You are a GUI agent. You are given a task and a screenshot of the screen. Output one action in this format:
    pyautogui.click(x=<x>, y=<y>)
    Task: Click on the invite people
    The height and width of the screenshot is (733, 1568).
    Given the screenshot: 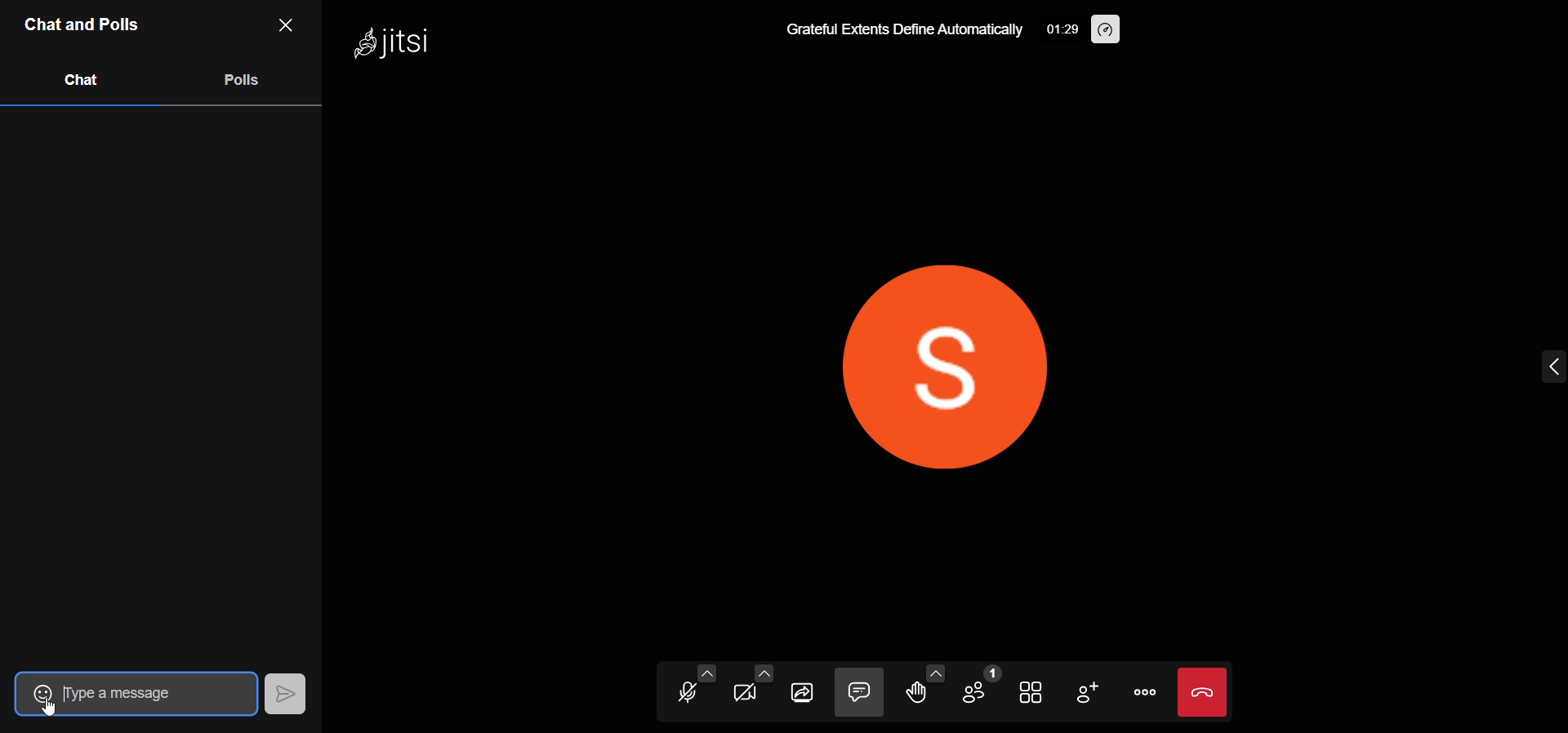 What is the action you would take?
    pyautogui.click(x=1089, y=693)
    